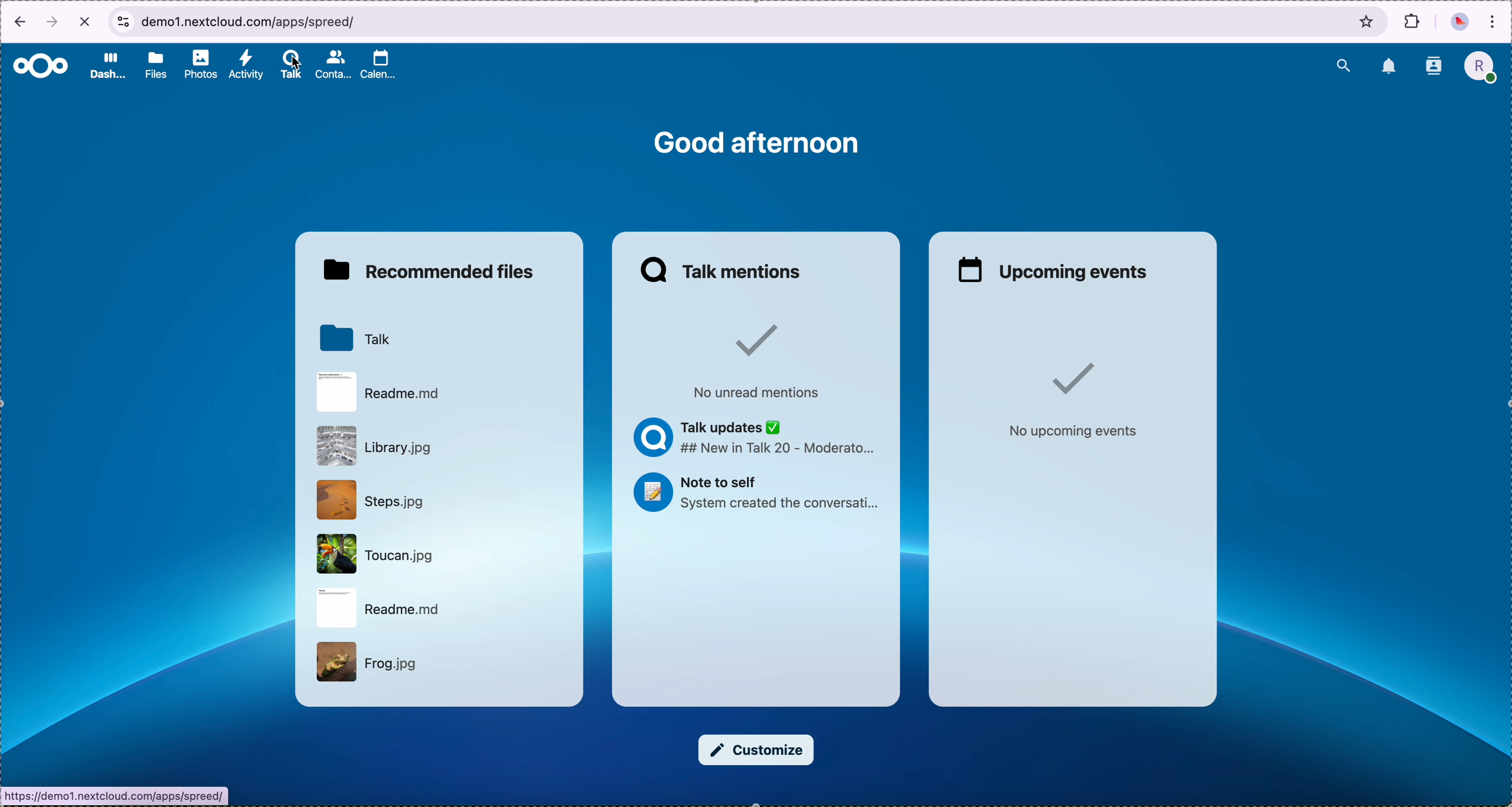  I want to click on cursor, so click(293, 62).